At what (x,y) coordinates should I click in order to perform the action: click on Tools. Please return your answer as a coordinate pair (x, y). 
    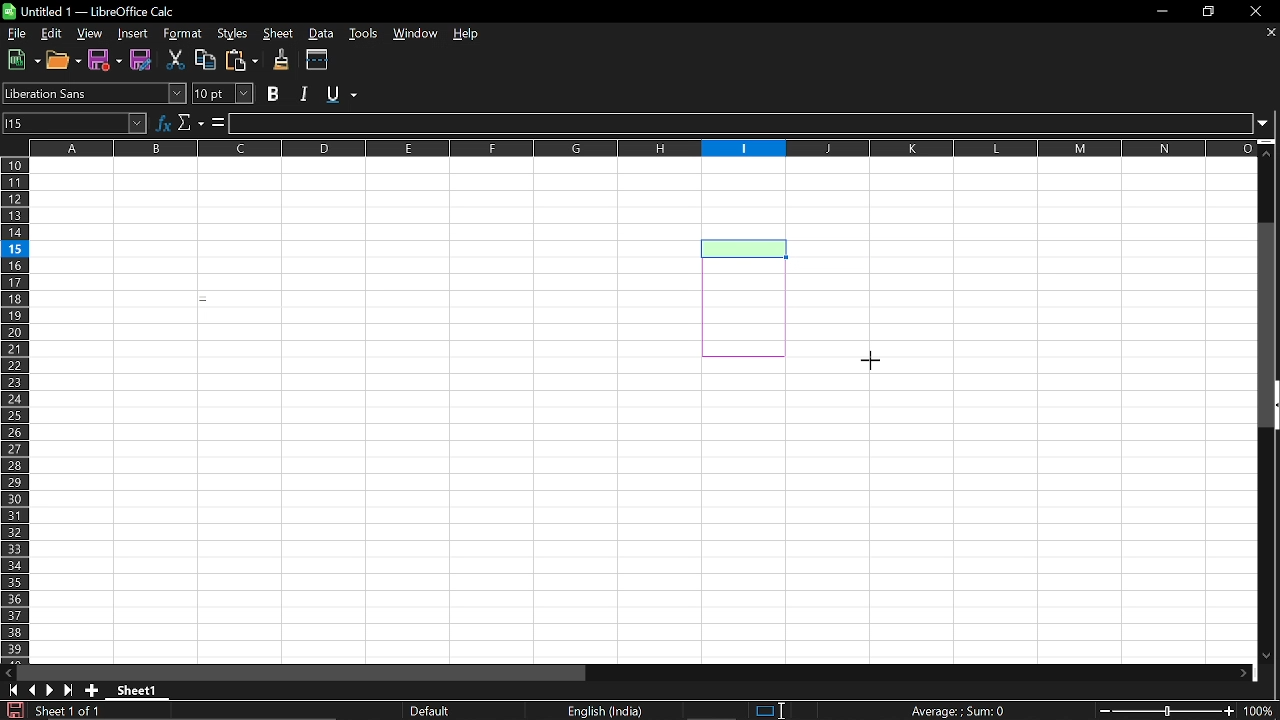
    Looking at the image, I should click on (366, 35).